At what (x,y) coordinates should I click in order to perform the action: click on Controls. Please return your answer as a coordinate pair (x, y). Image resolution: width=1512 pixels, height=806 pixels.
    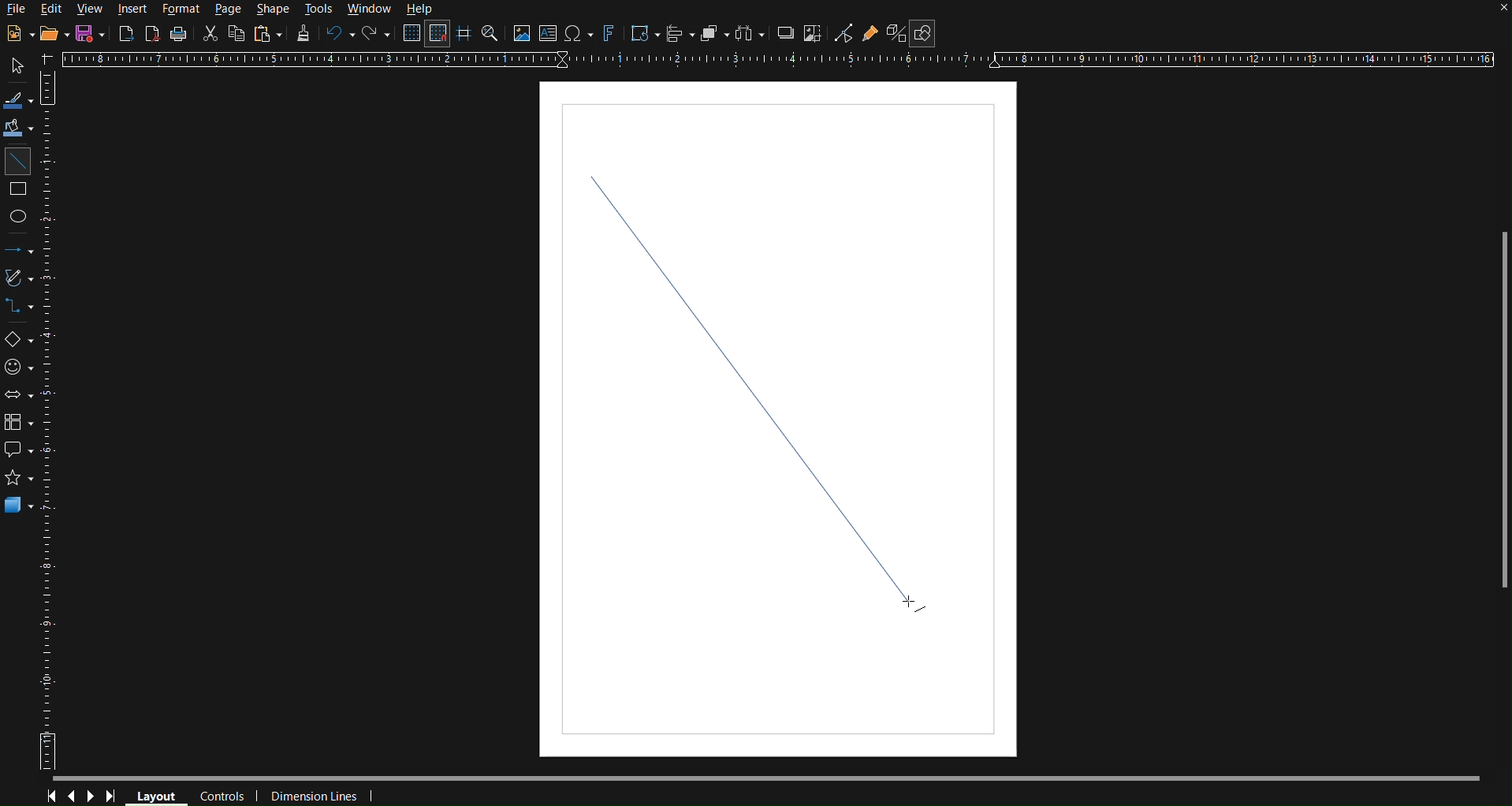
    Looking at the image, I should click on (221, 797).